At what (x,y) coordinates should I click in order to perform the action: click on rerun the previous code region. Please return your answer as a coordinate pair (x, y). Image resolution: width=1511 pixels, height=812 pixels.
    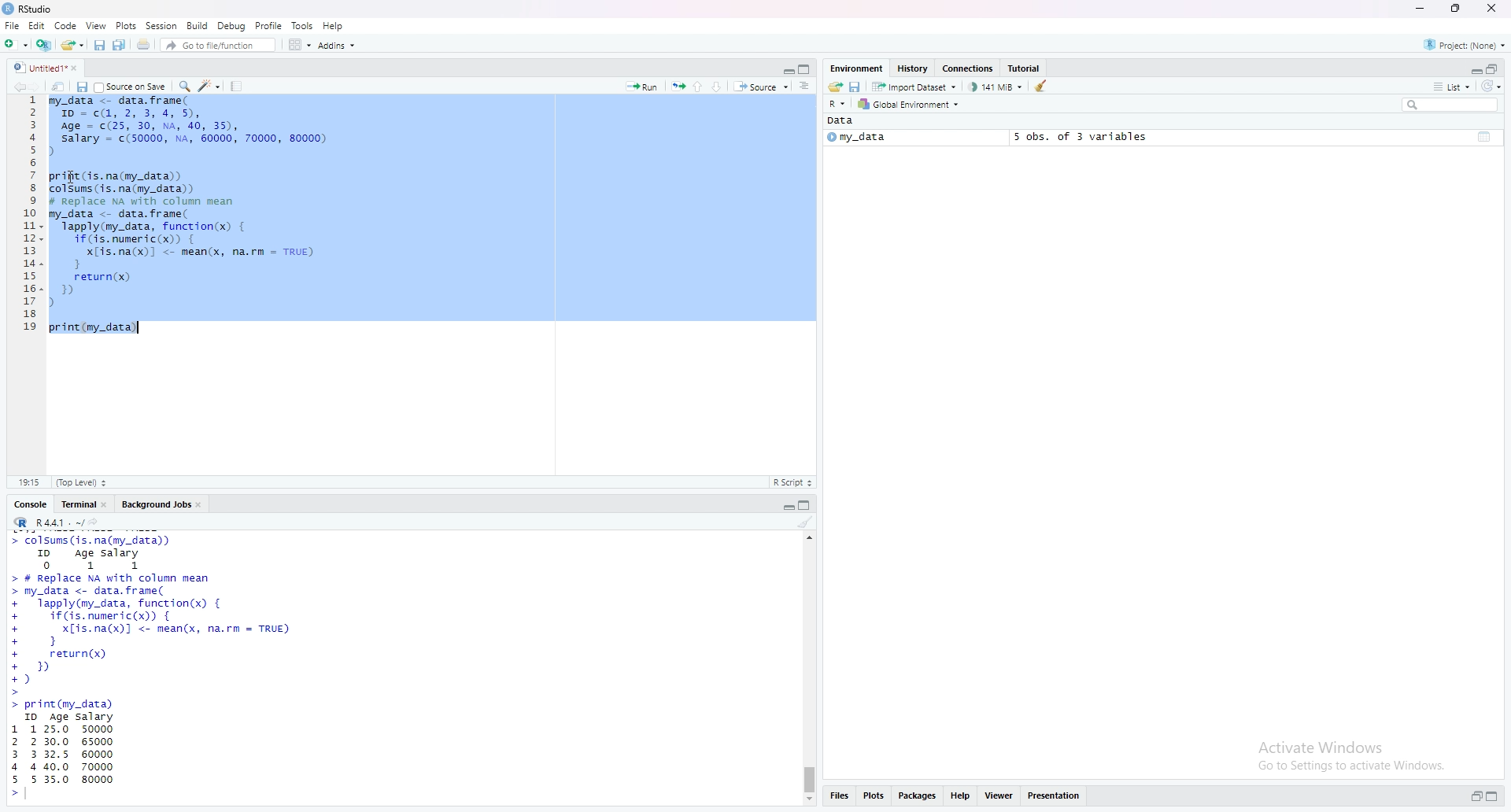
    Looking at the image, I should click on (678, 87).